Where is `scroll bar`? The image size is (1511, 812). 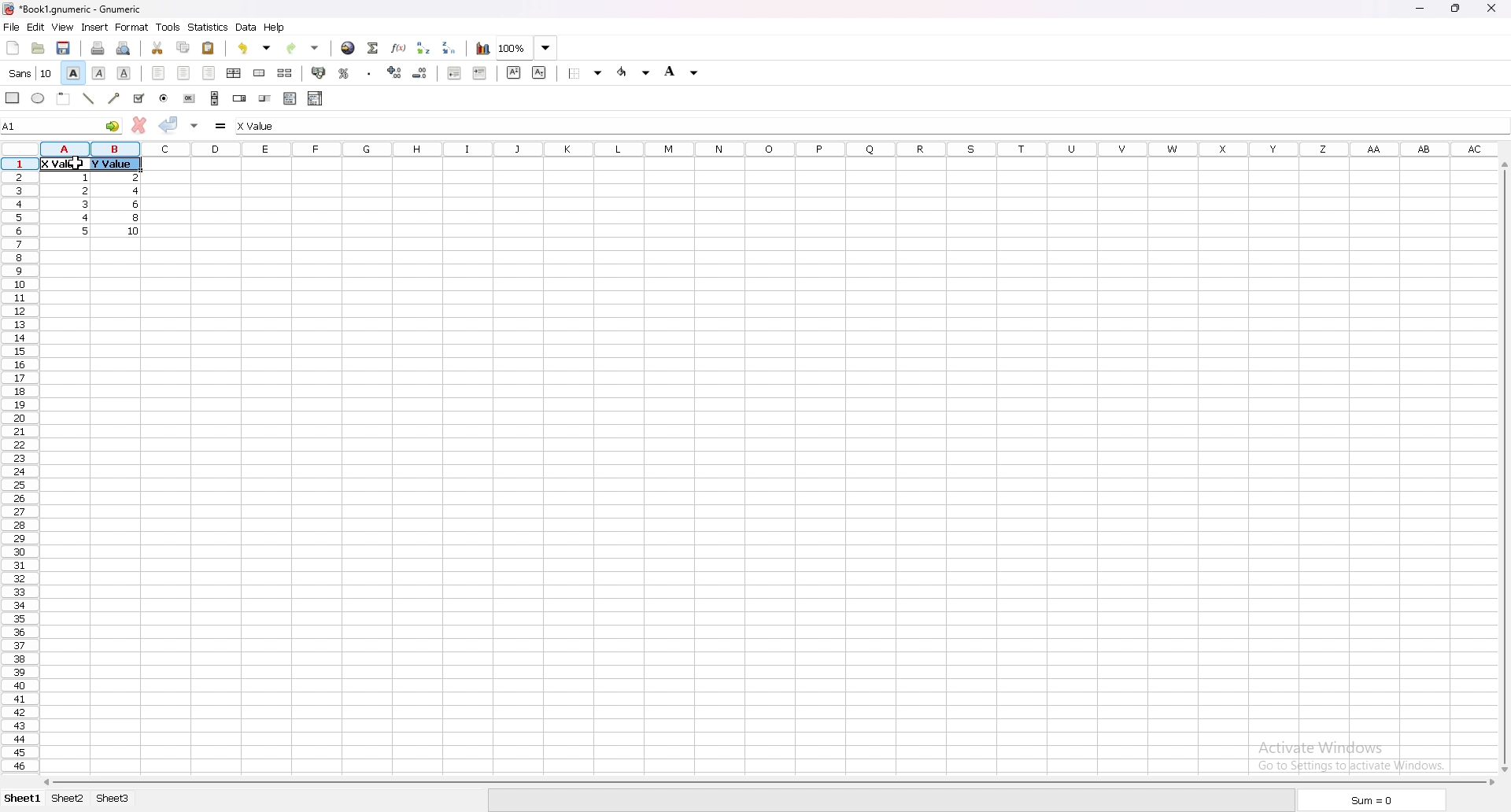
scroll bar is located at coordinates (1502, 467).